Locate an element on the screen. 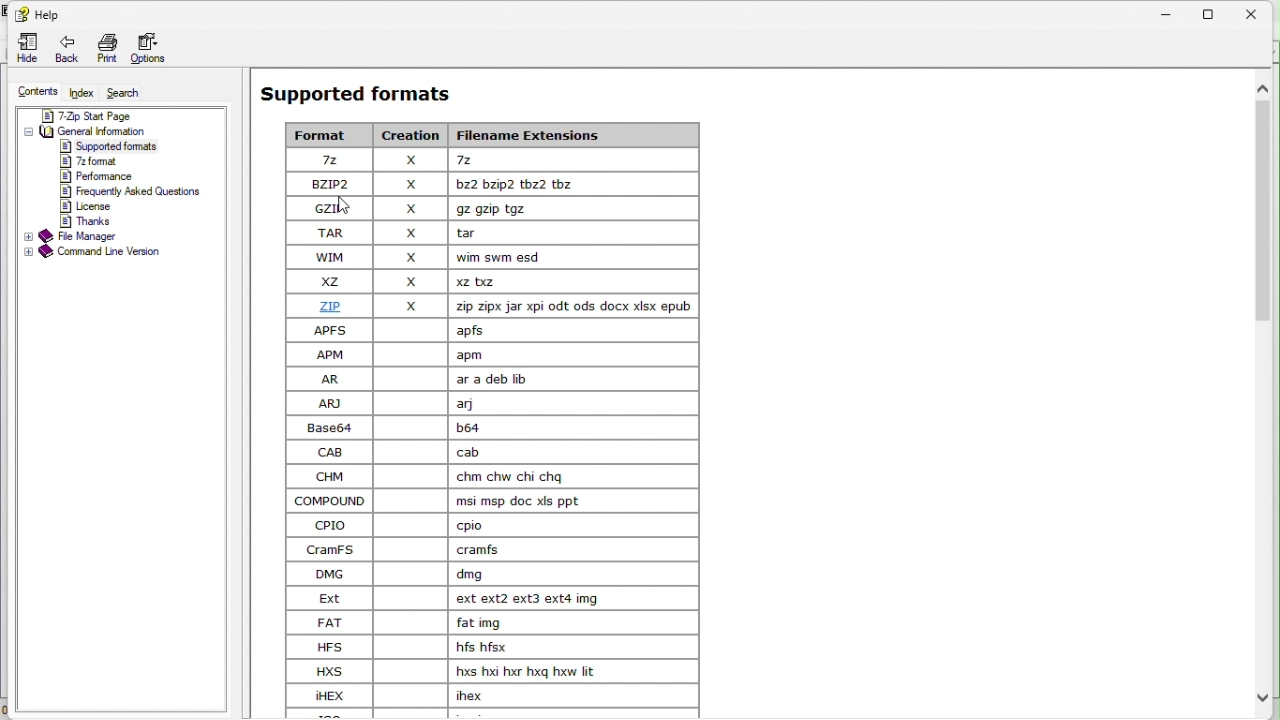  7z format is located at coordinates (91, 163).